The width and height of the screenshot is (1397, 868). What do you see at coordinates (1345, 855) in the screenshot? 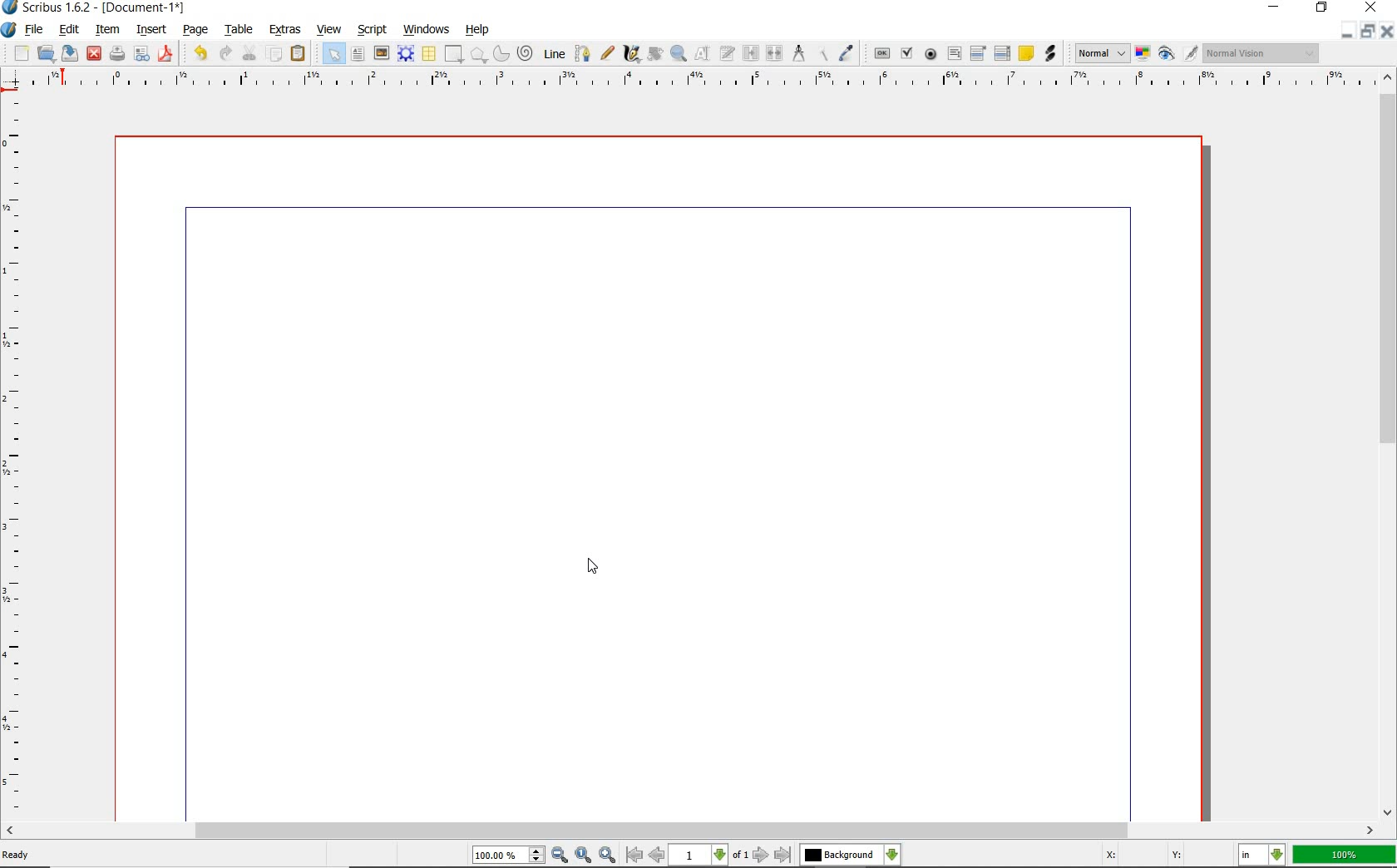
I see `zoom factor` at bounding box center [1345, 855].